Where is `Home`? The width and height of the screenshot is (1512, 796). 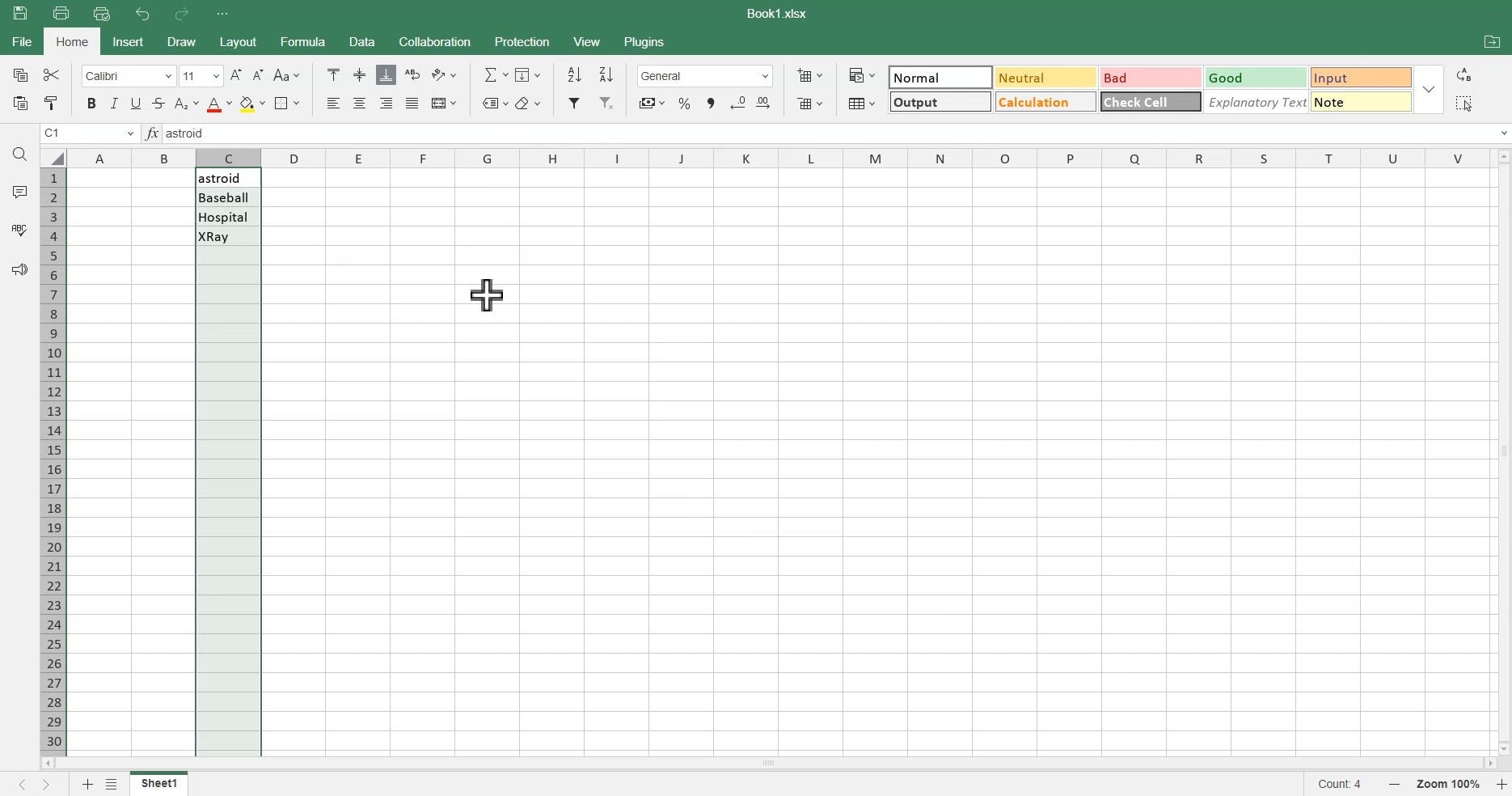
Home is located at coordinates (74, 41).